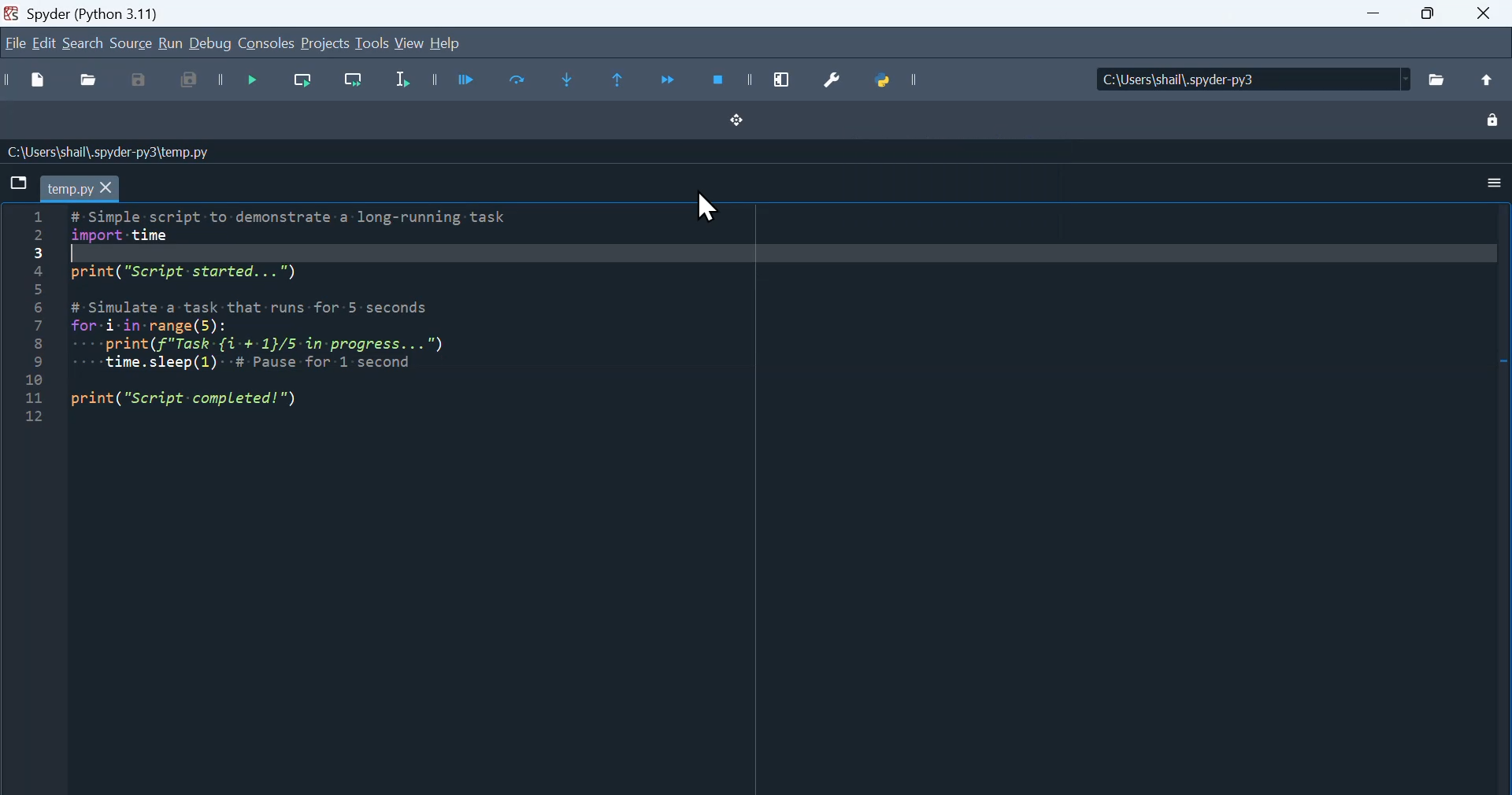 This screenshot has height=795, width=1512. I want to click on Dragon drop button, so click(754, 128).